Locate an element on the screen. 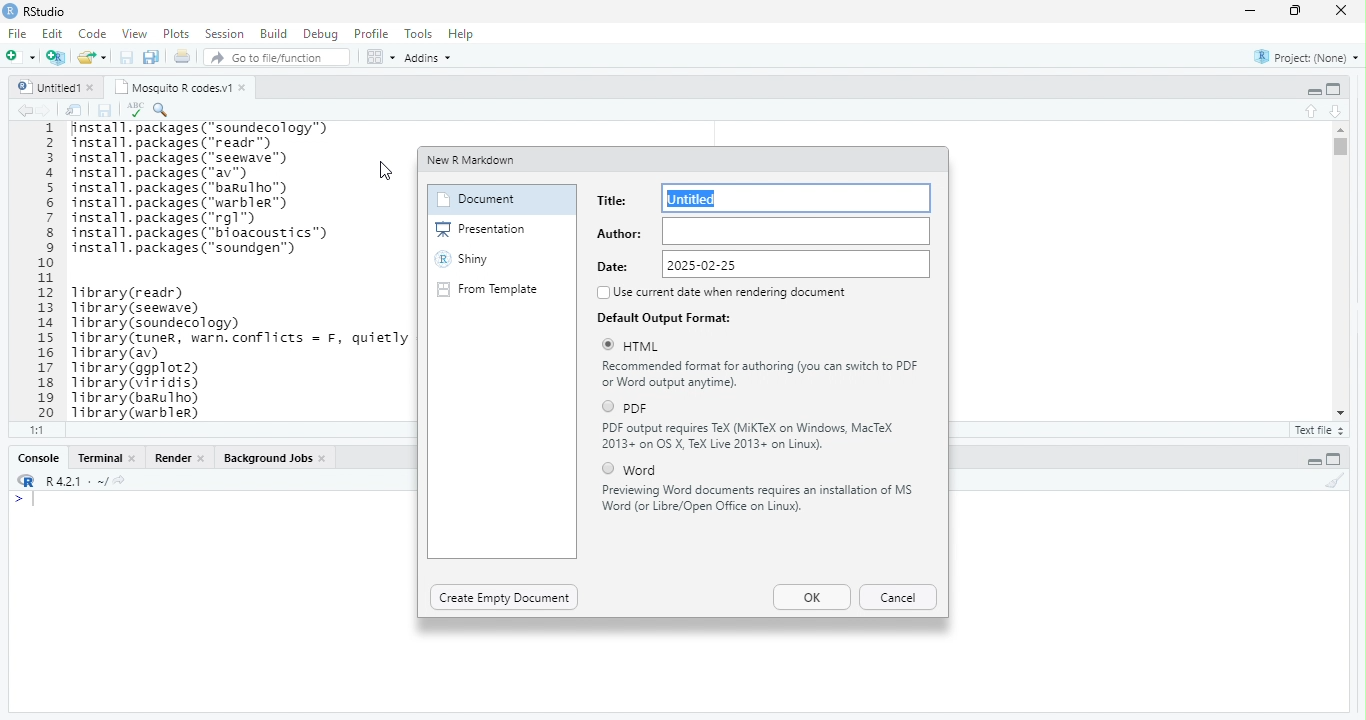 The image size is (1366, 720). Background Jobs is located at coordinates (269, 458).